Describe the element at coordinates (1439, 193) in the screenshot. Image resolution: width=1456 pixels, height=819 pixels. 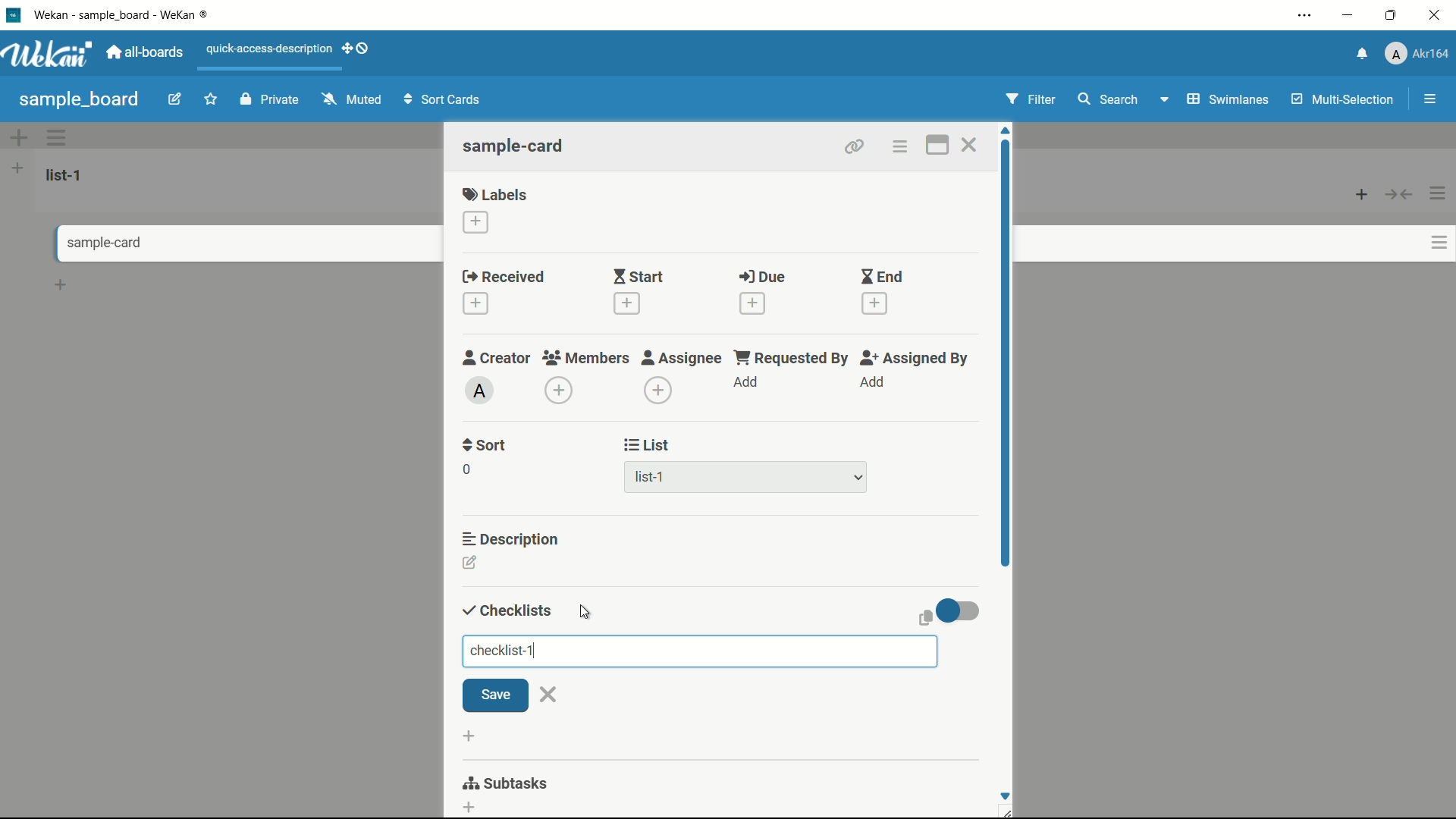
I see `list actions` at that location.